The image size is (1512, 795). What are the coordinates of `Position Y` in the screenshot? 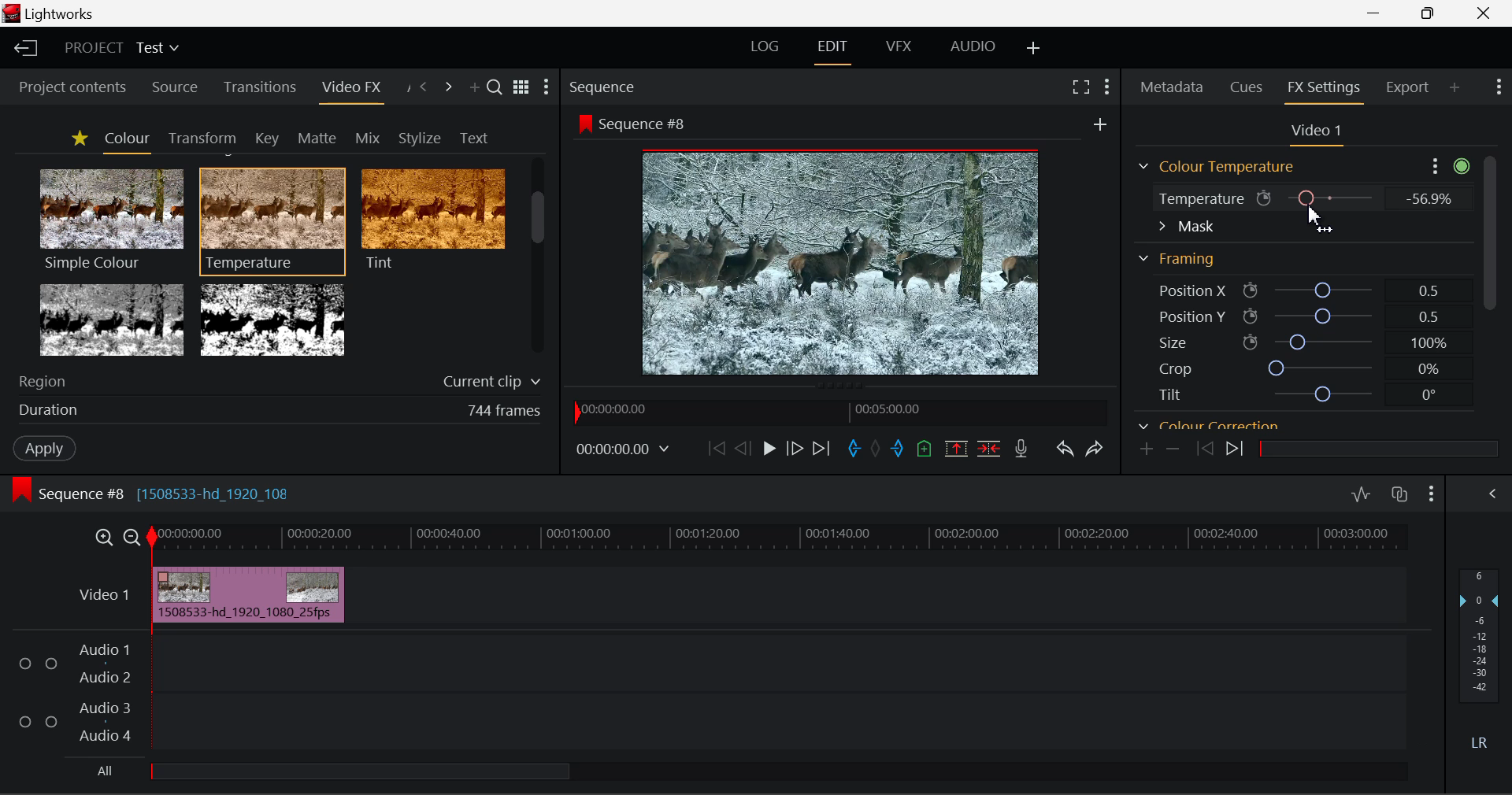 It's located at (1183, 316).